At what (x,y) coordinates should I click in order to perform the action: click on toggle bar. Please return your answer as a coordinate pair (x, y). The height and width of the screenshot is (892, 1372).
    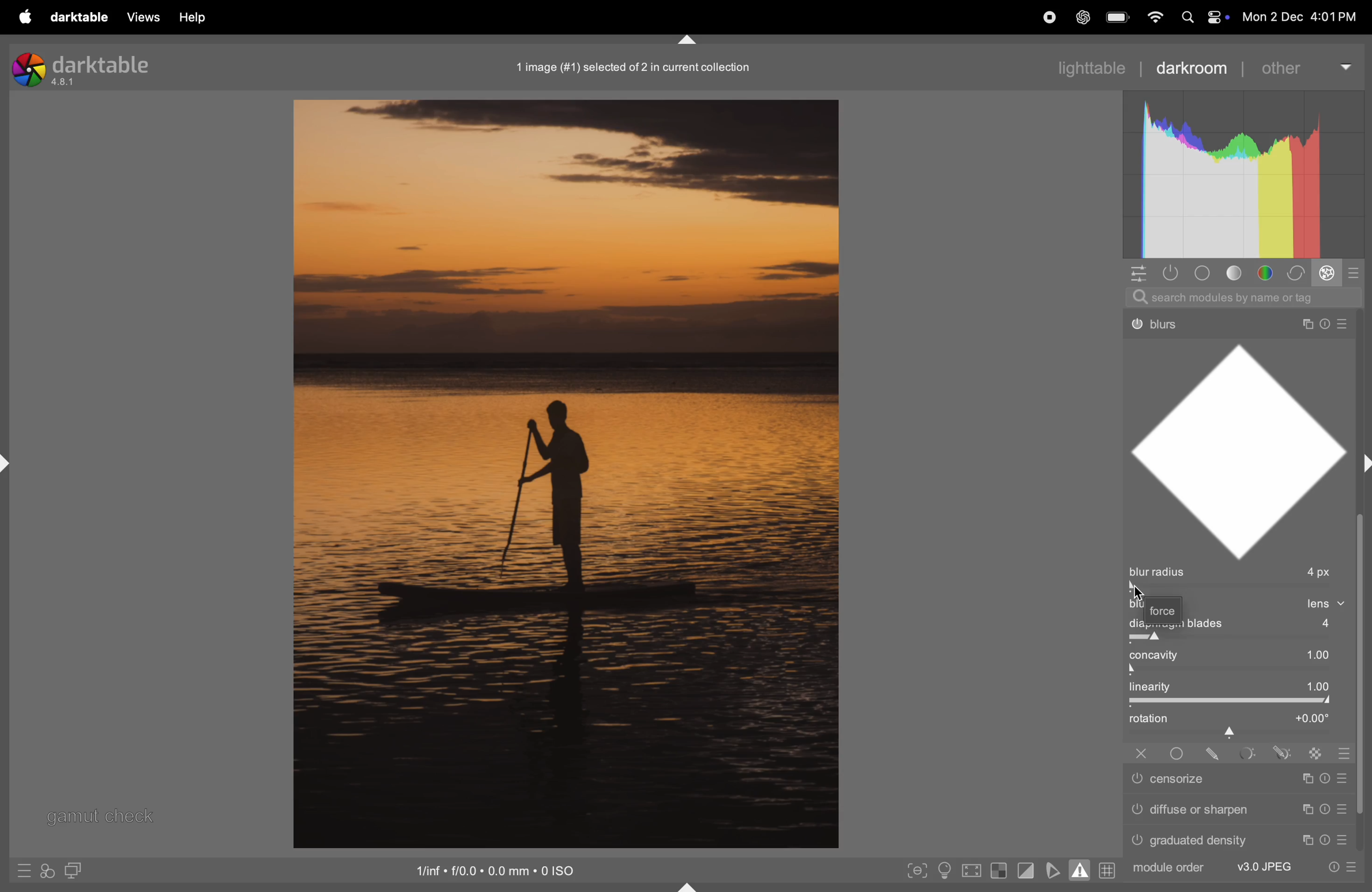
    Looking at the image, I should click on (1243, 671).